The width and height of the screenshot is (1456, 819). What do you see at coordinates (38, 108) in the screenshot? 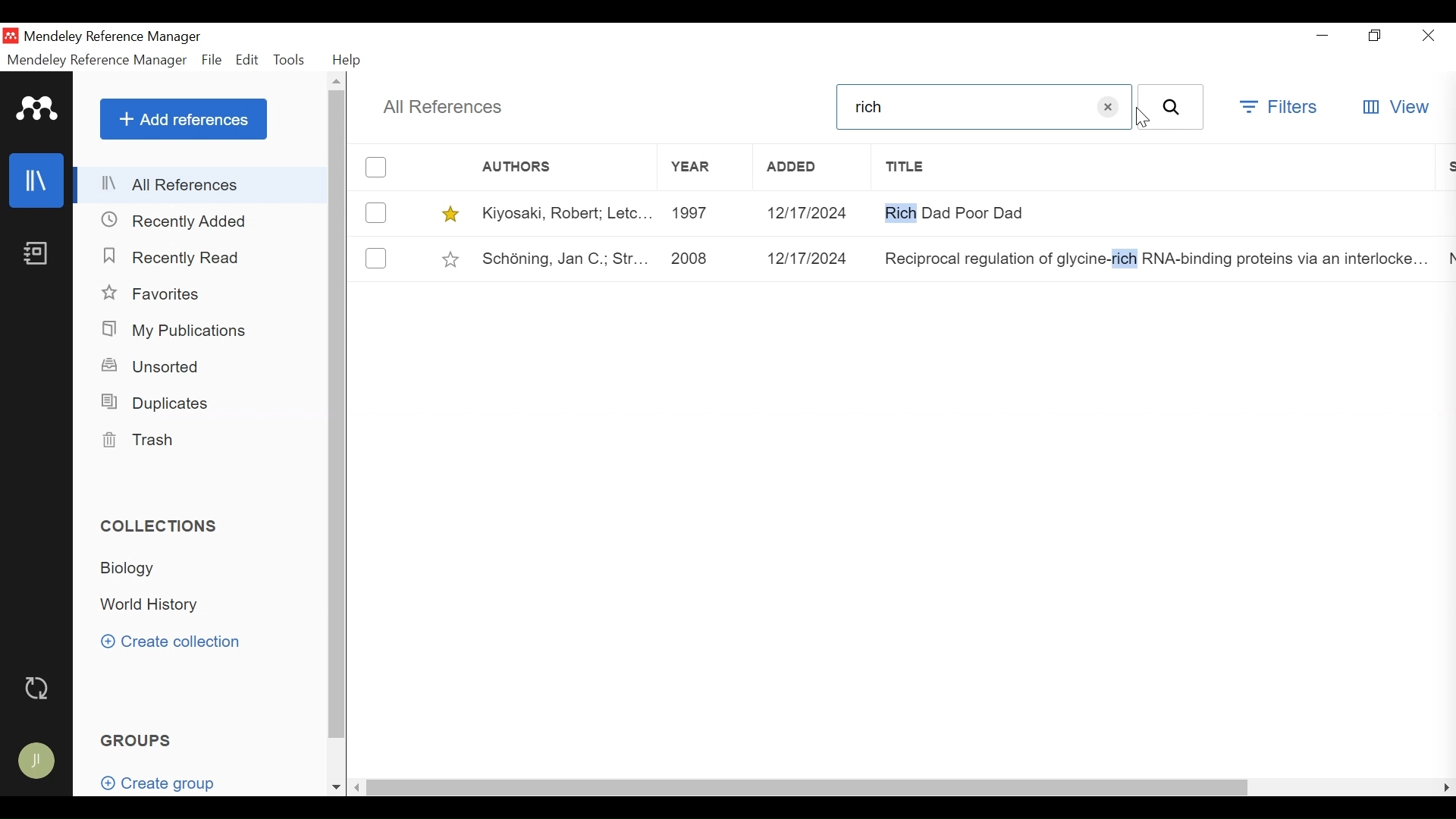
I see `Mendeley Logo` at bounding box center [38, 108].